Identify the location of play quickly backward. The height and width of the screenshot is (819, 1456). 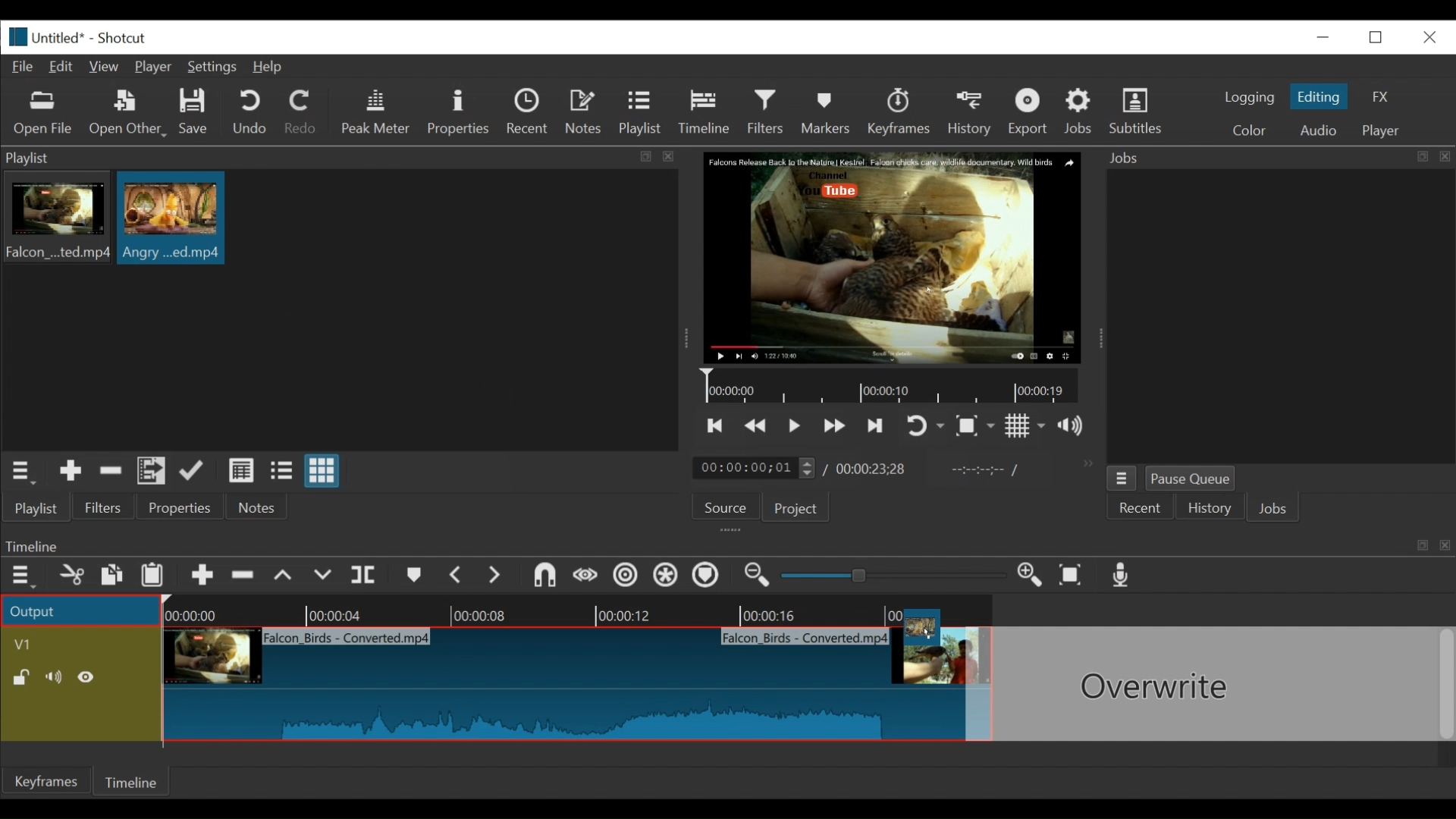
(756, 426).